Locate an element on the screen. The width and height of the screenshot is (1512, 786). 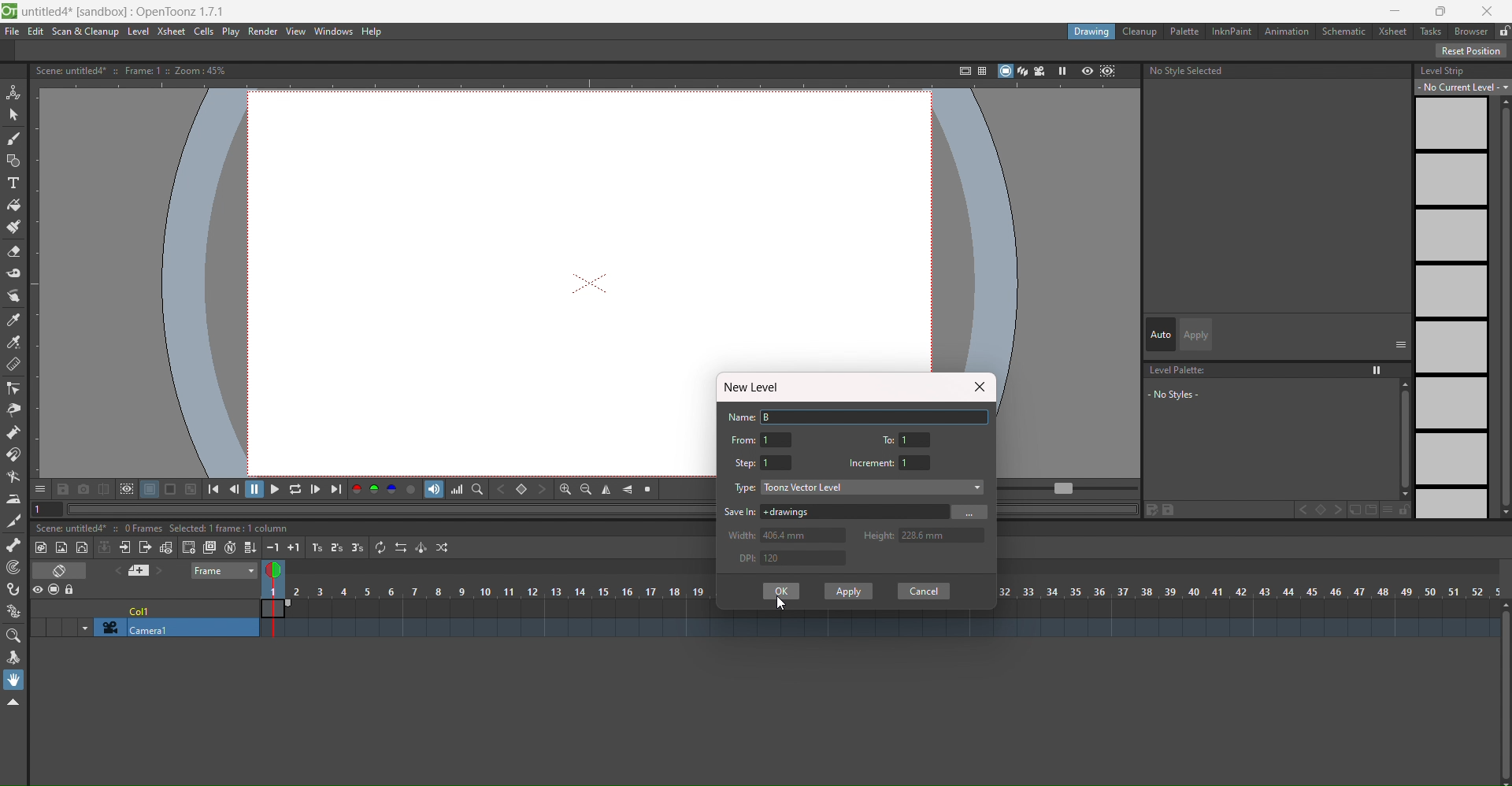
increase step is located at coordinates (315, 547).